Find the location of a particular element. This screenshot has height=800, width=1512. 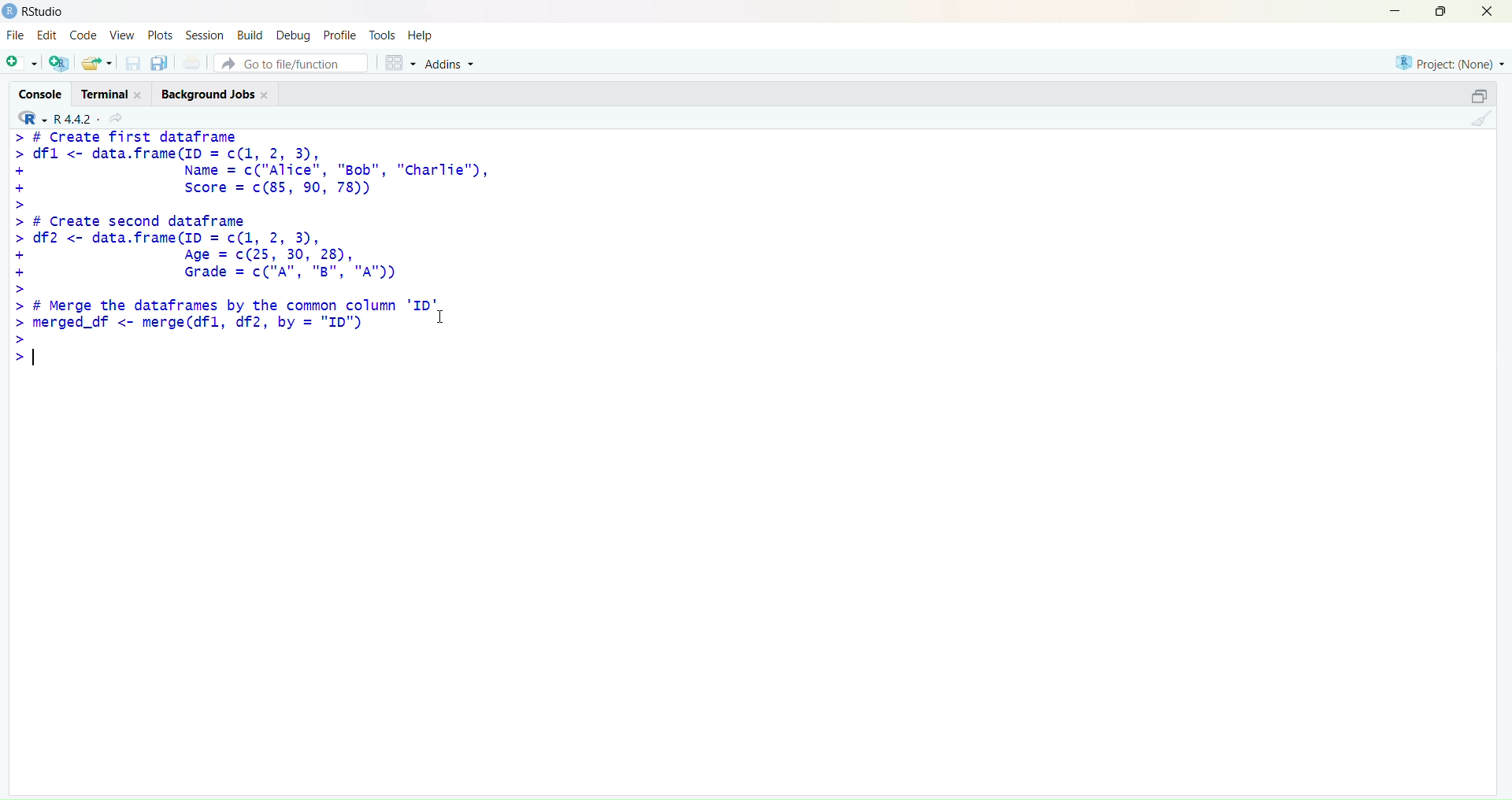

Edit is located at coordinates (47, 35).